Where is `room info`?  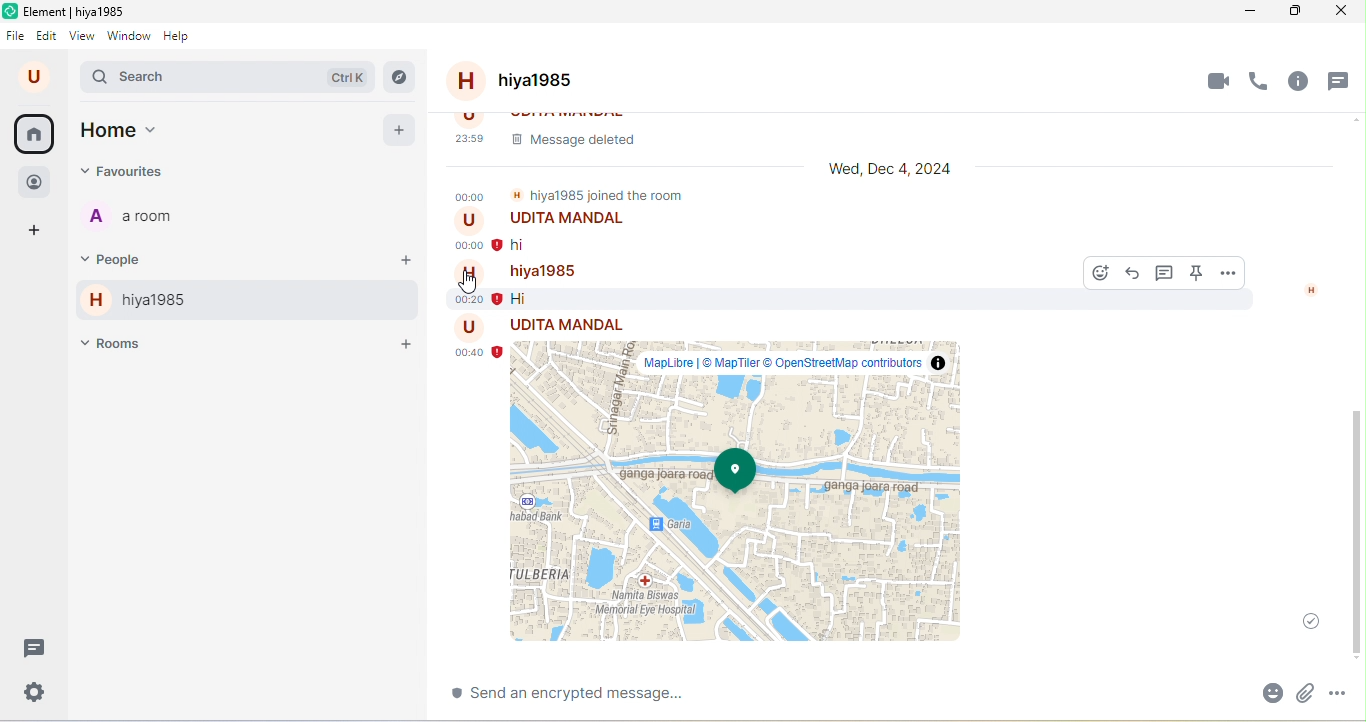 room info is located at coordinates (1300, 81).